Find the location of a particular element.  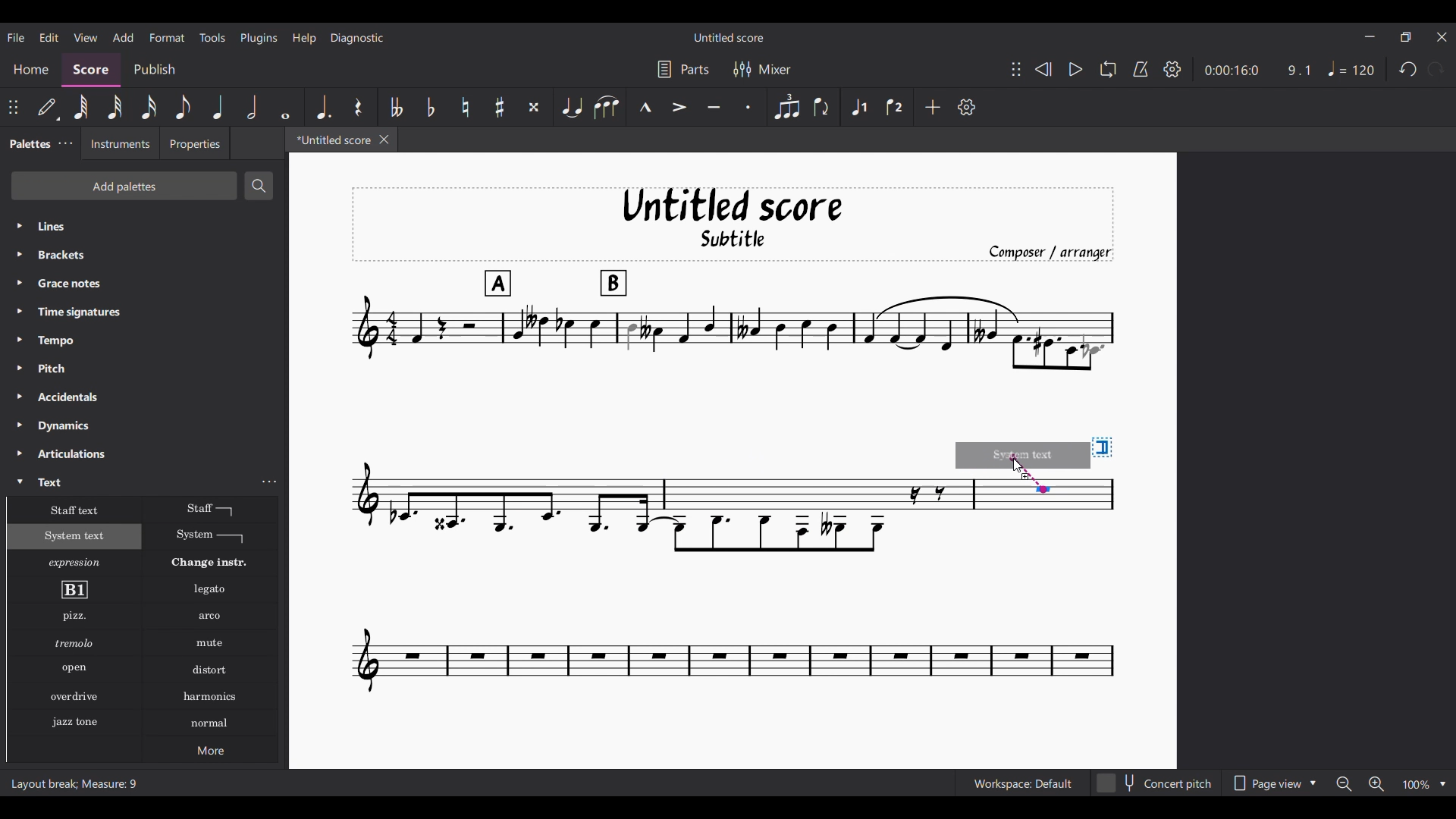

Format menu is located at coordinates (168, 37).